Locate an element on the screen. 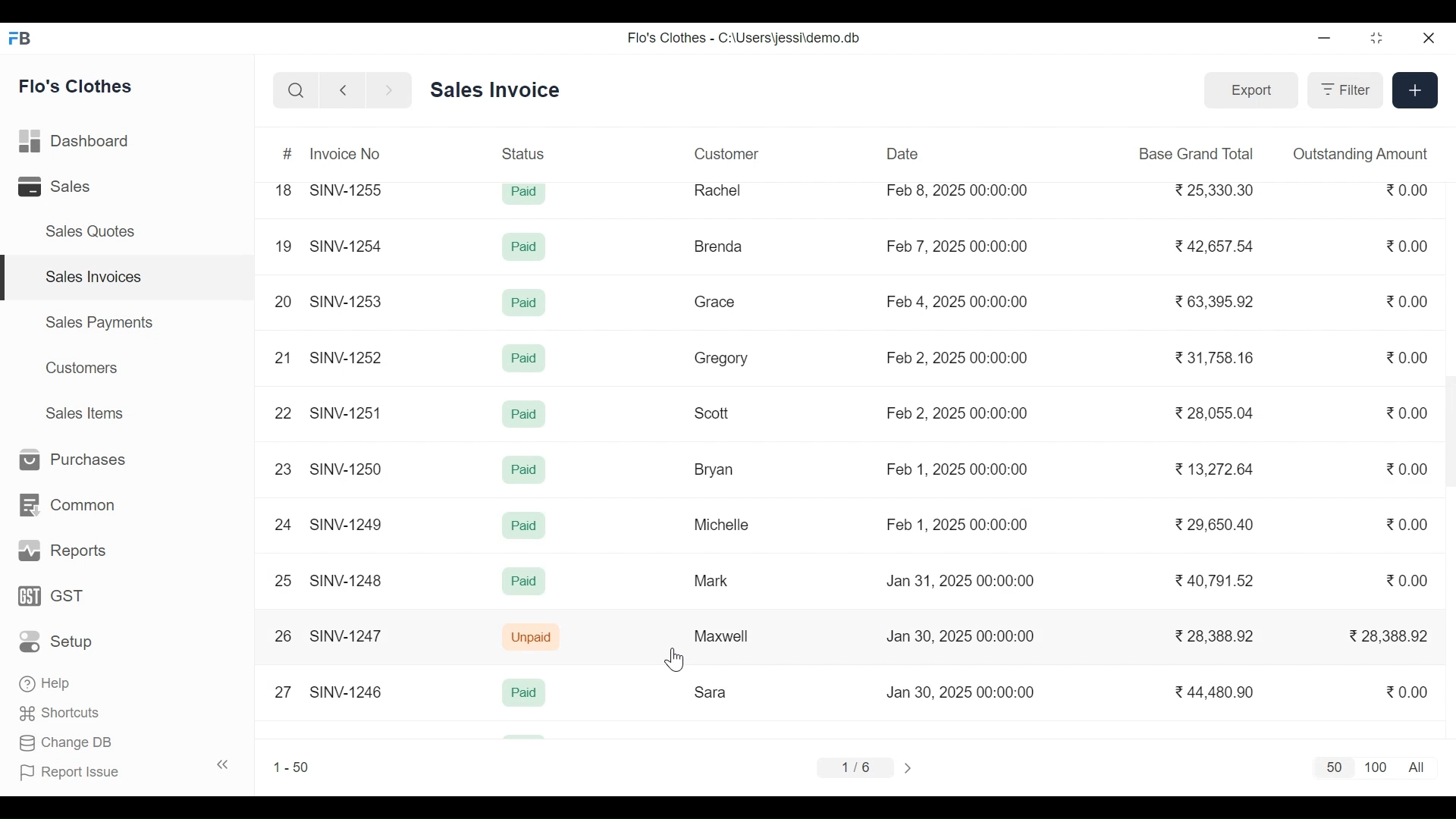  GST is located at coordinates (51, 597).